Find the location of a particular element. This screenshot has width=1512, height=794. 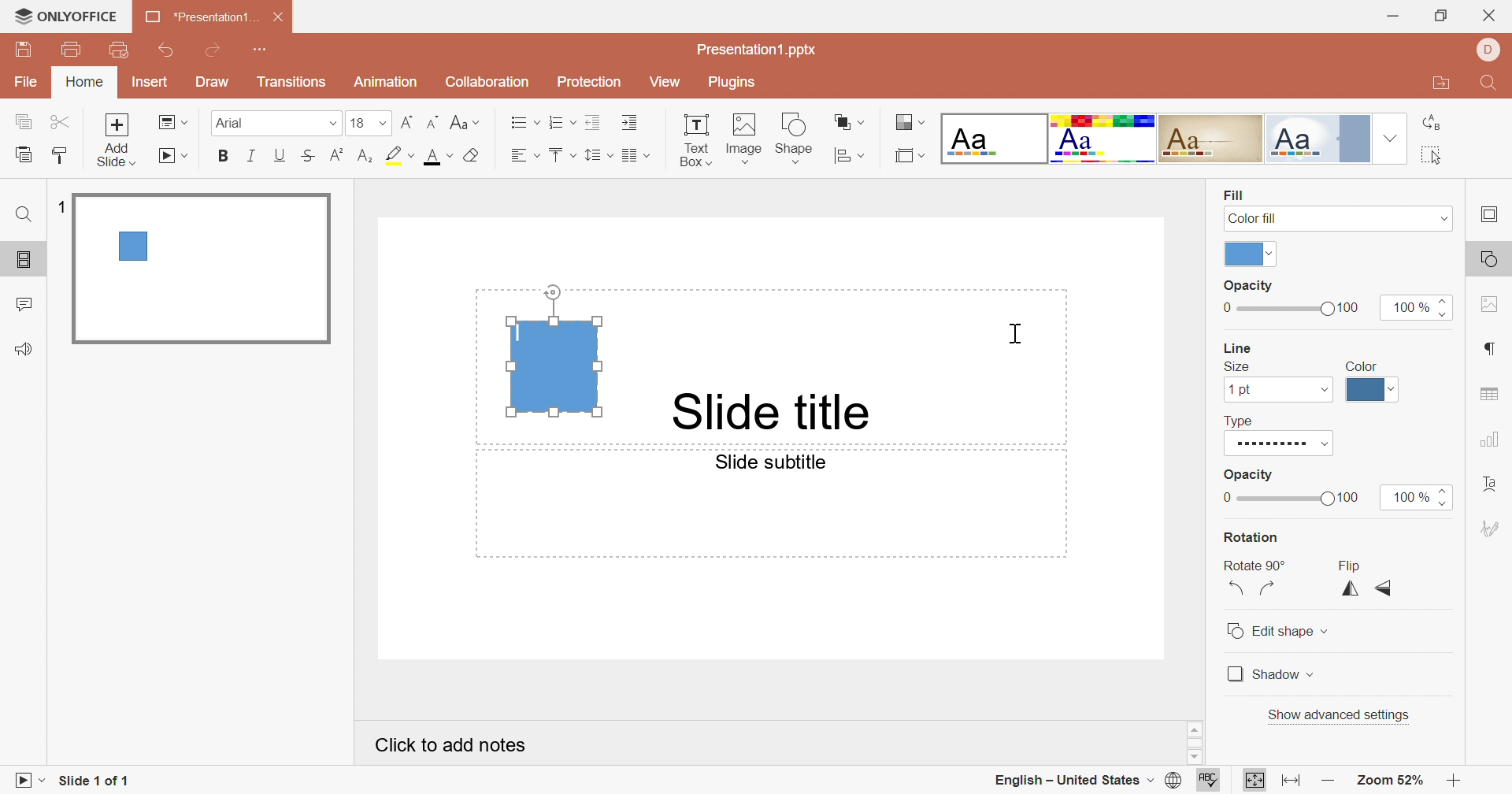

0 is located at coordinates (1226, 499).